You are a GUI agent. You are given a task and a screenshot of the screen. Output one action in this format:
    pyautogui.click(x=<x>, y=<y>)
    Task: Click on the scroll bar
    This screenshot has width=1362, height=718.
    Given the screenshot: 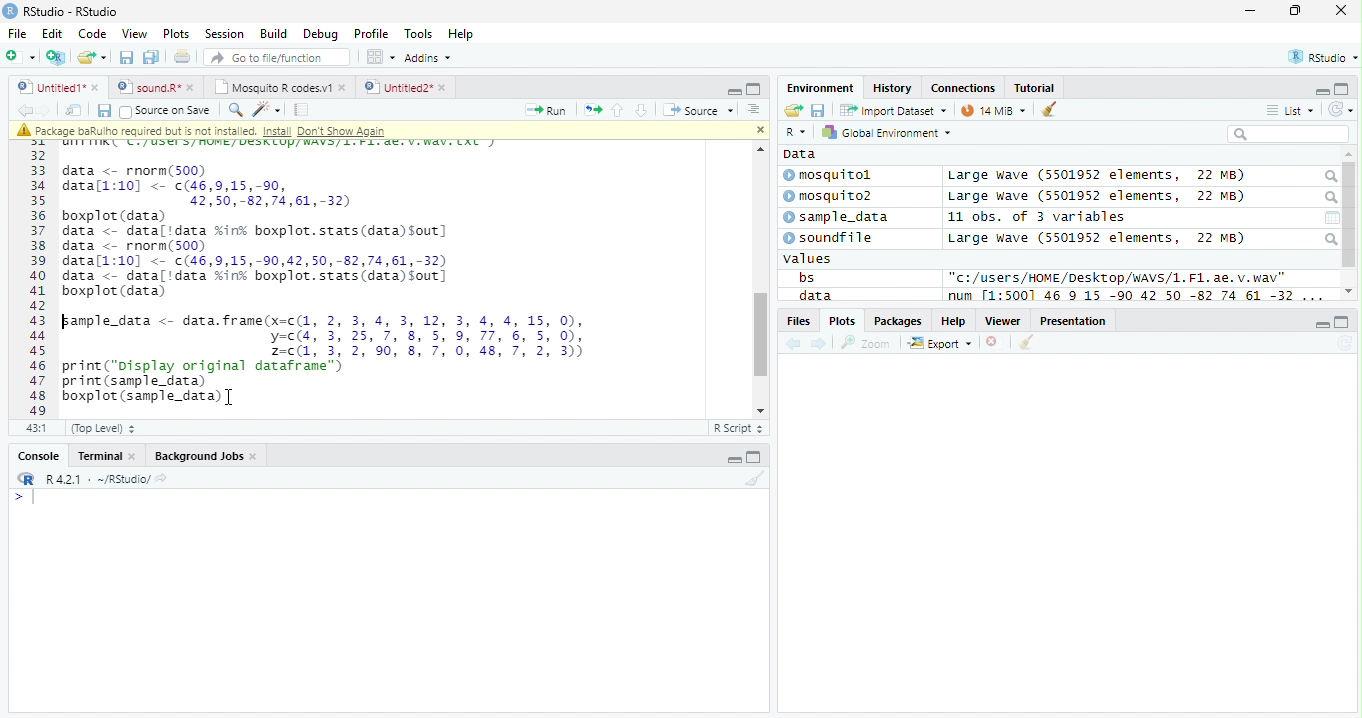 What is the action you would take?
    pyautogui.click(x=1350, y=215)
    